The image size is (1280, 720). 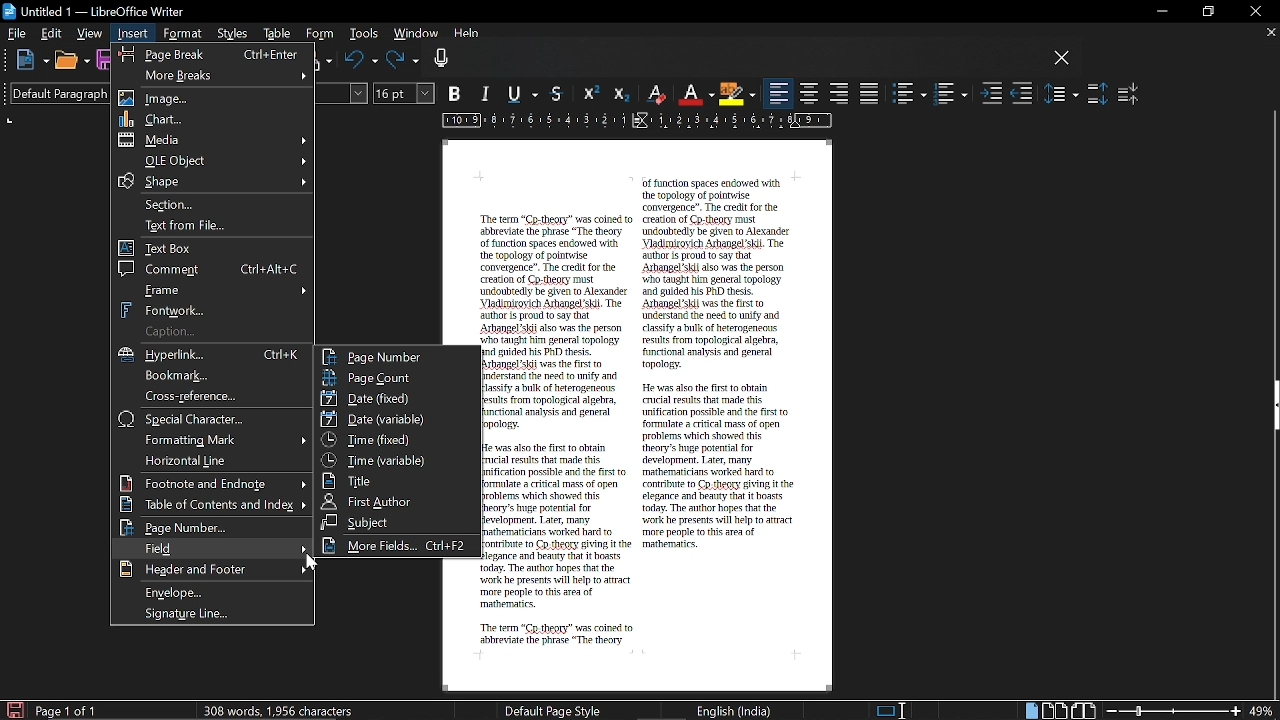 What do you see at coordinates (211, 570) in the screenshot?
I see `Header and footer` at bounding box center [211, 570].